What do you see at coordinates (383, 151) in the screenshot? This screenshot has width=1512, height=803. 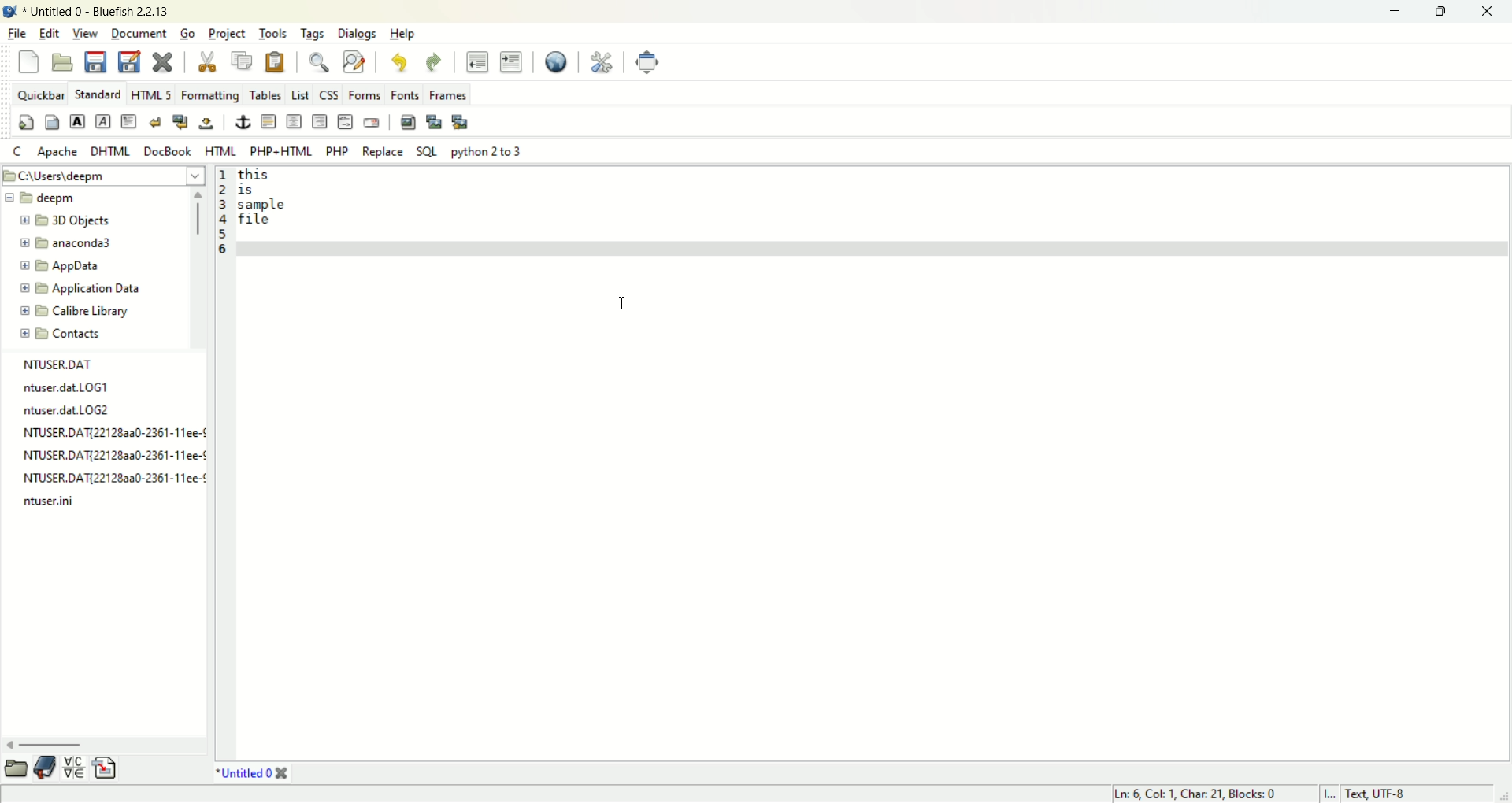 I see `REPLACE` at bounding box center [383, 151].